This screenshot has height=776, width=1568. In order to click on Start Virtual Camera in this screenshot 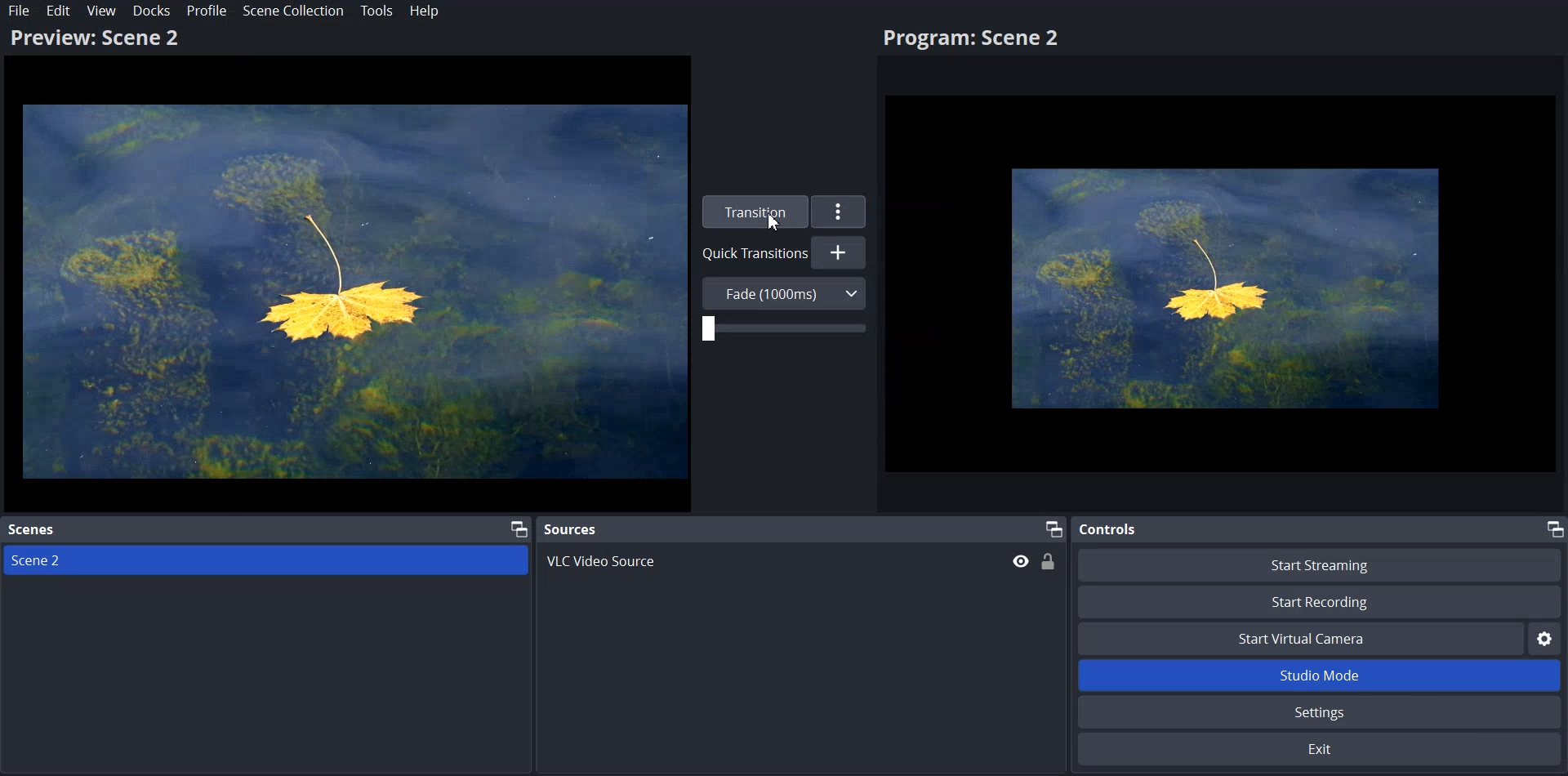, I will do `click(1301, 639)`.